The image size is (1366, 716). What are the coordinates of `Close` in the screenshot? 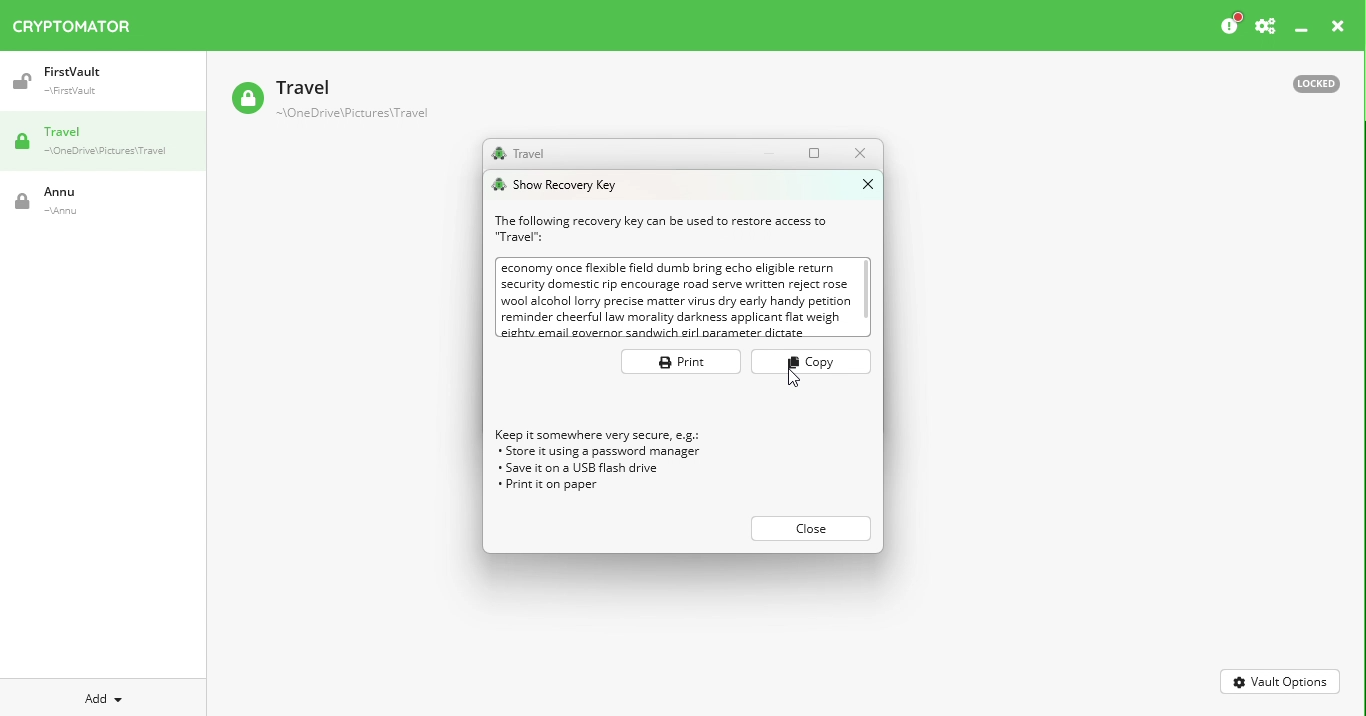 It's located at (859, 153).